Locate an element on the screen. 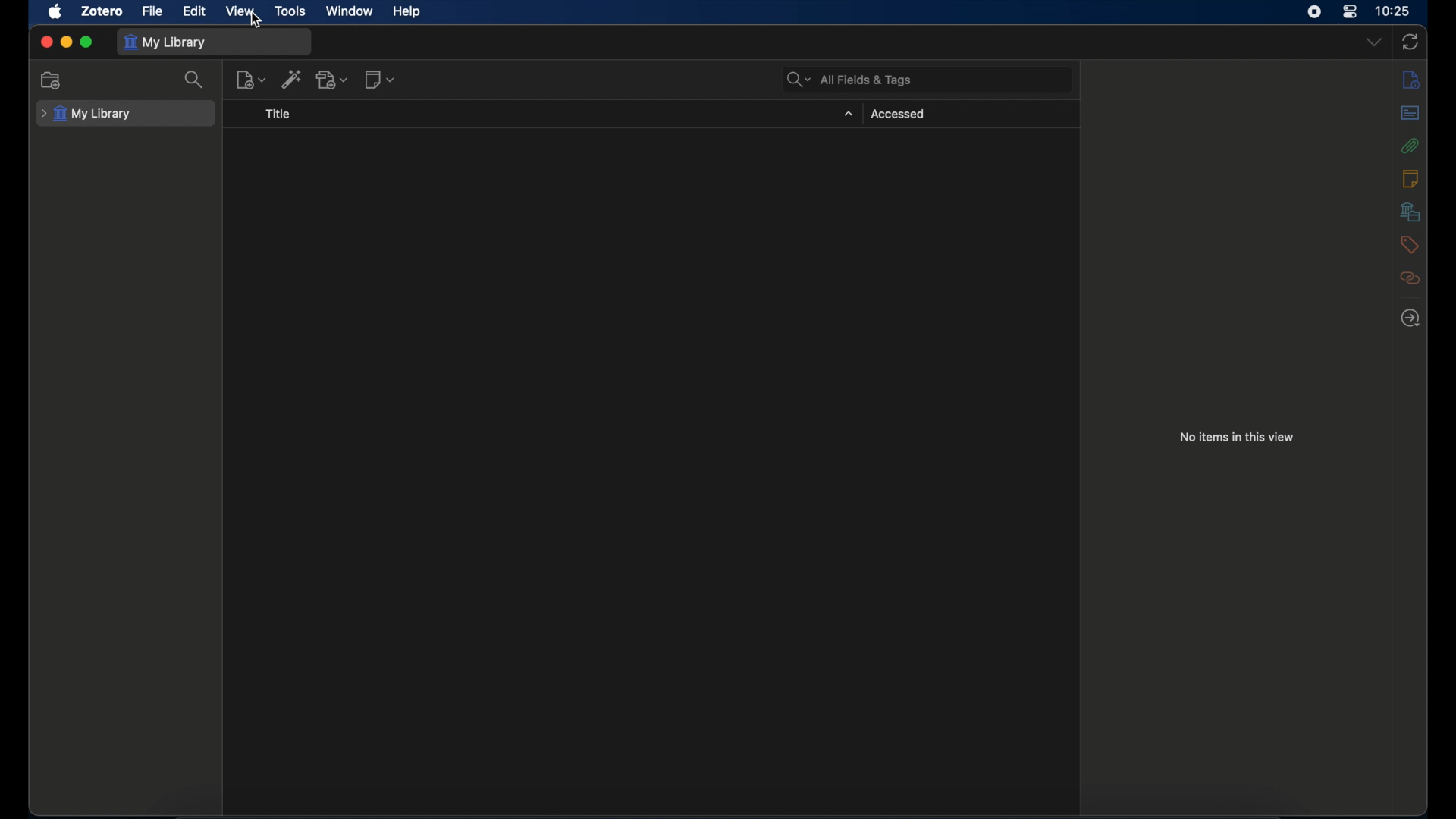 The width and height of the screenshot is (1456, 819). new collection is located at coordinates (53, 80).